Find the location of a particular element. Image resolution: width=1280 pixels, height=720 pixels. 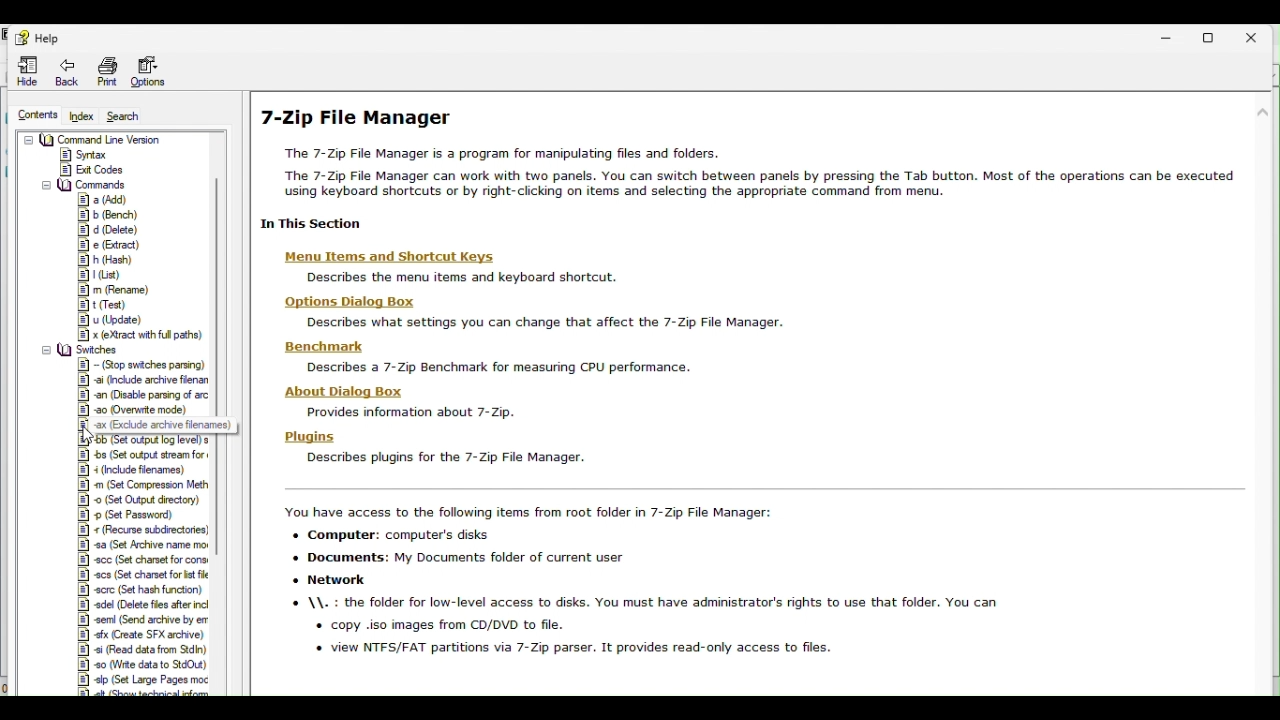

8] ofx Create SFX archive) is located at coordinates (138, 633).